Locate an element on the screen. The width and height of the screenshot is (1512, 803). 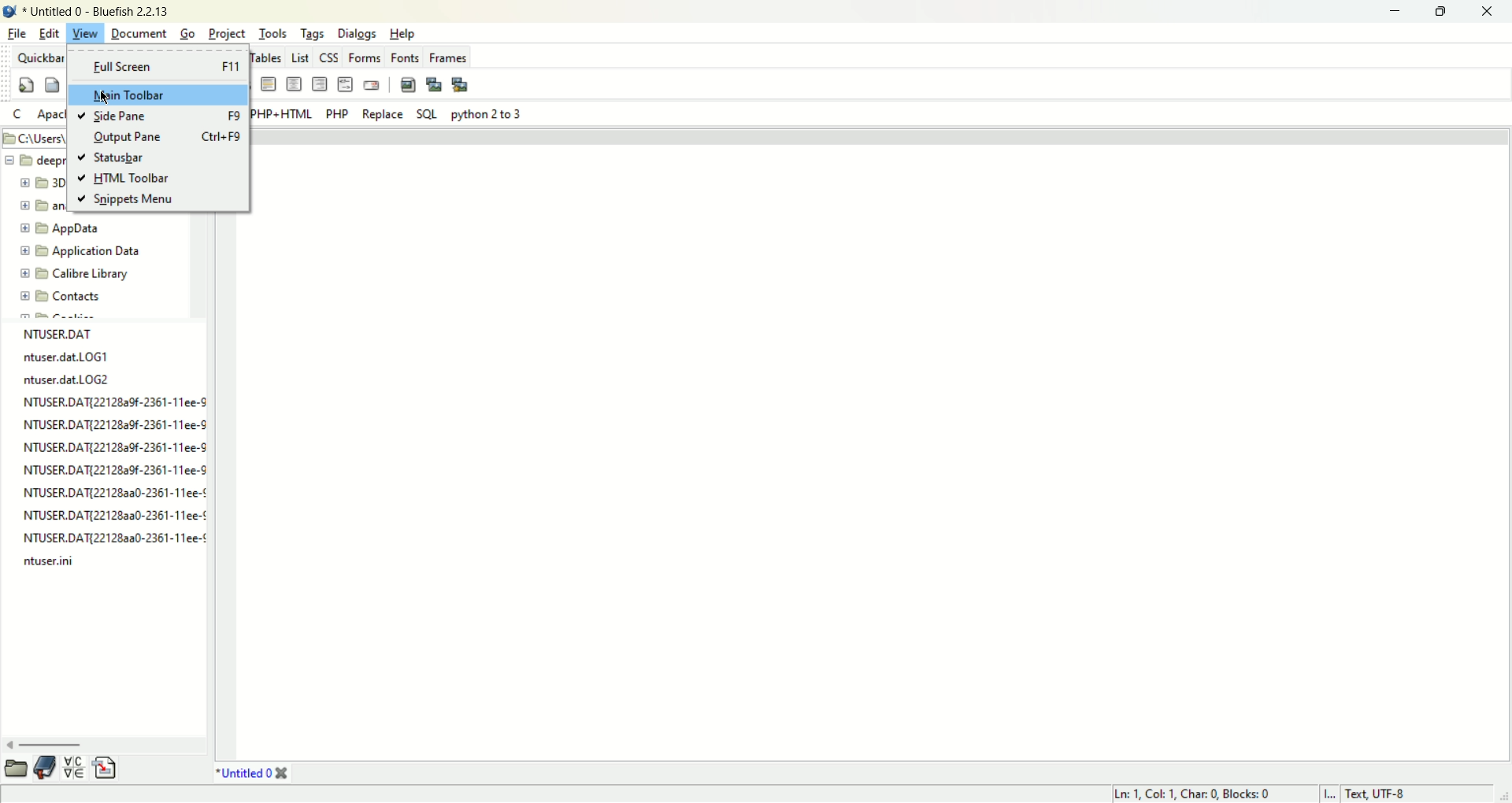
Replace is located at coordinates (384, 114).